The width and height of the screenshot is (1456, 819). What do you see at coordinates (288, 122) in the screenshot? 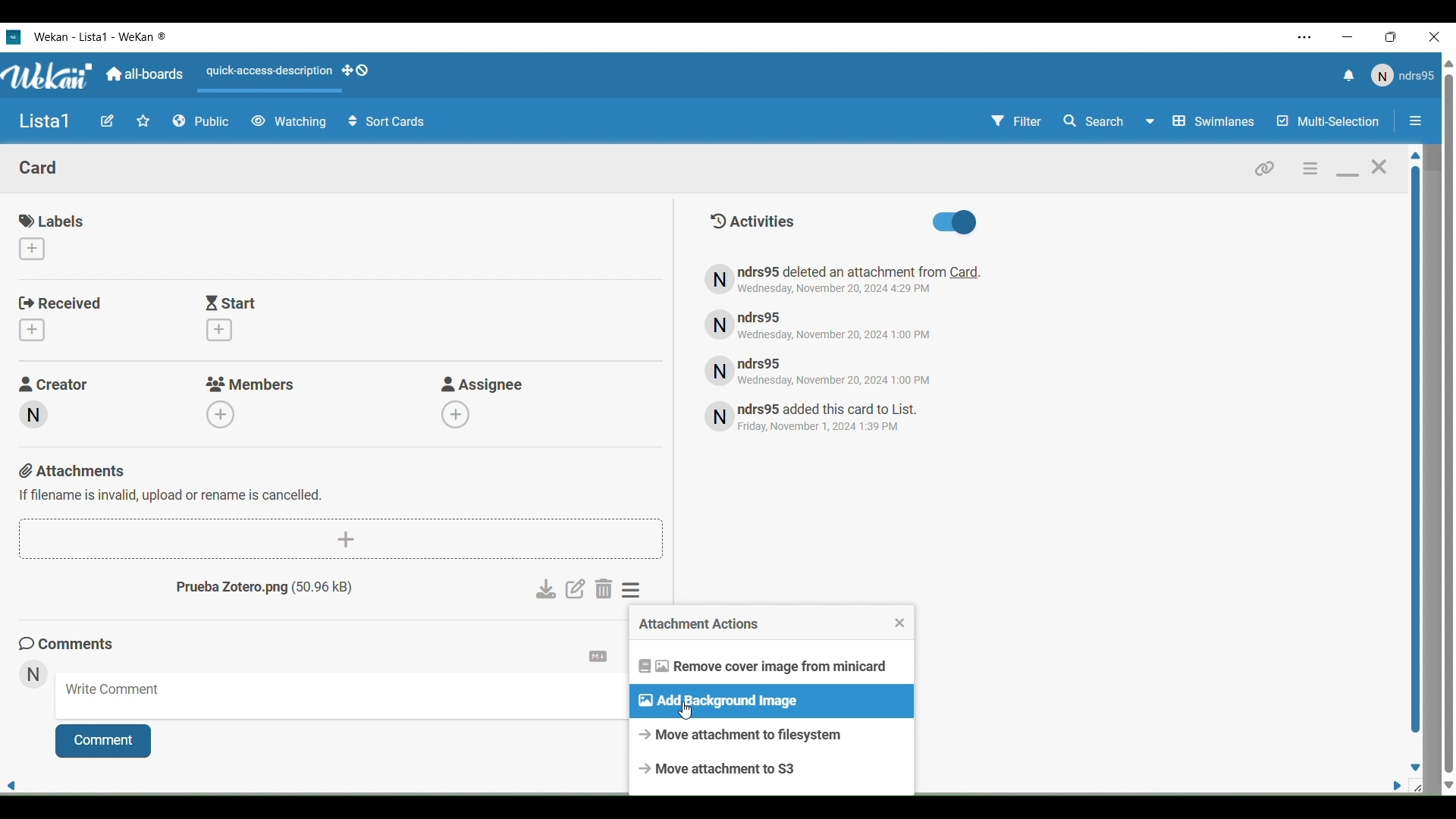
I see `Watching` at bounding box center [288, 122].